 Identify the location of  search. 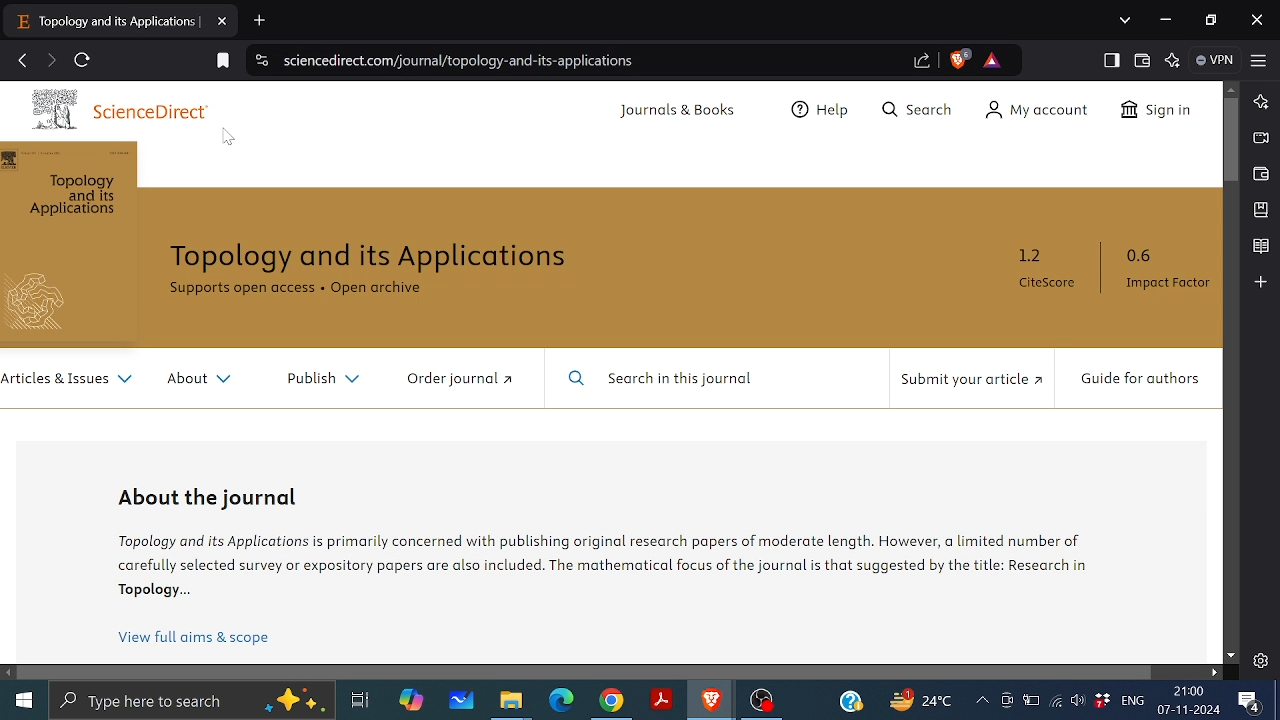
(914, 107).